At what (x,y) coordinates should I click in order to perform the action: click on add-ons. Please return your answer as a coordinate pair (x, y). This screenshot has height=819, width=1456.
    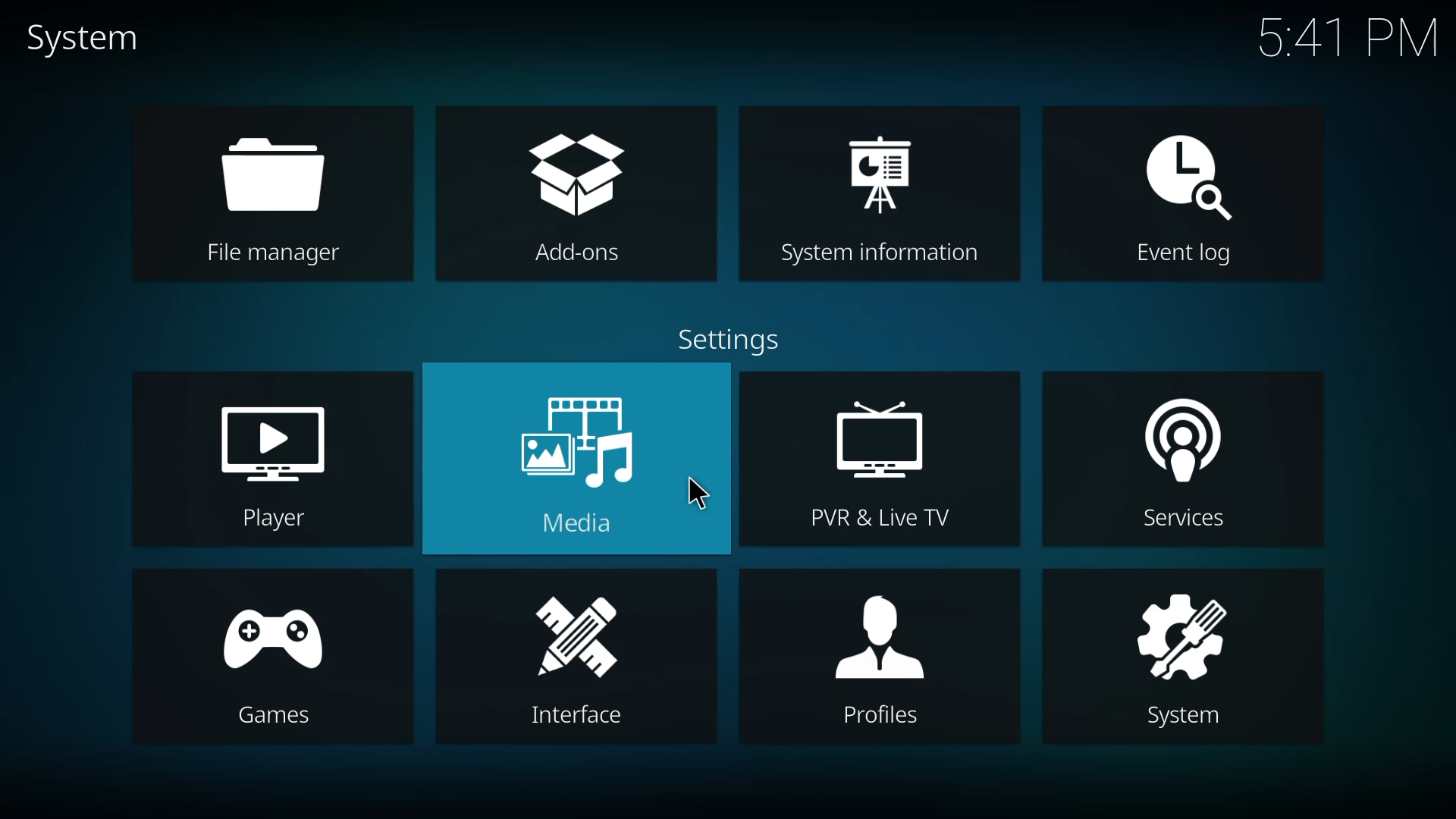
    Looking at the image, I should click on (580, 198).